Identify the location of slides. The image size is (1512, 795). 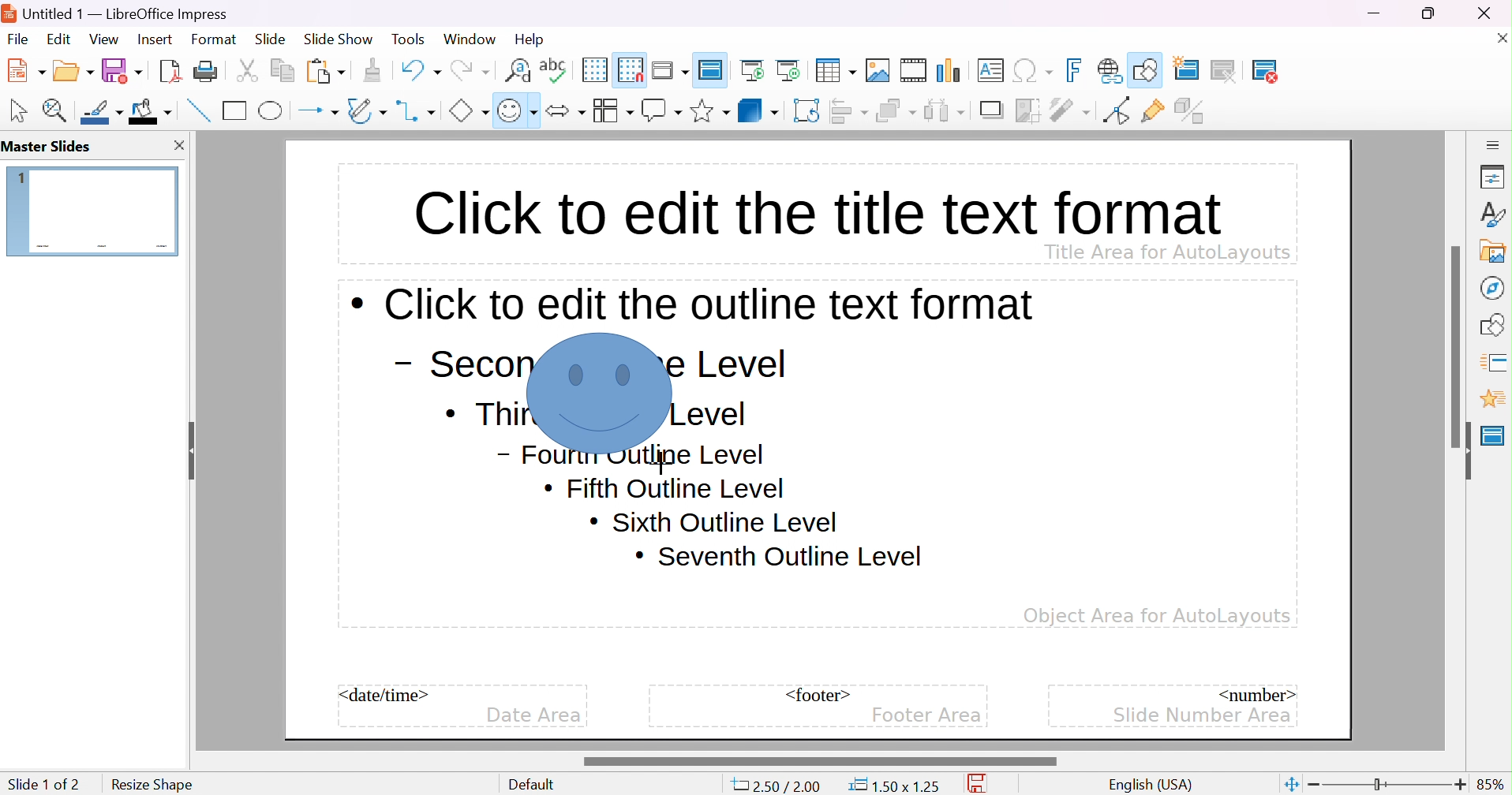
(51, 147).